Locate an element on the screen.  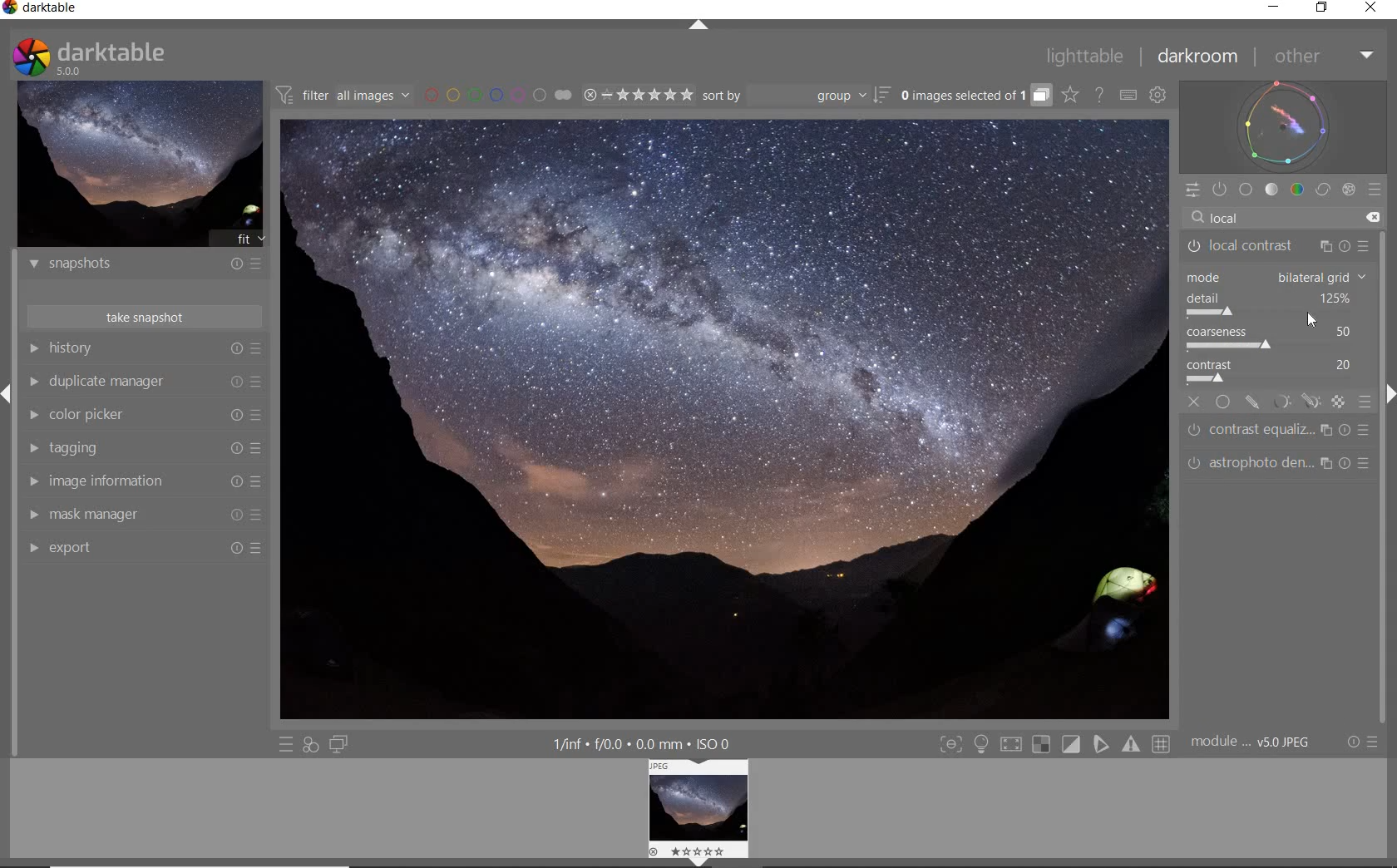
scroll bar is located at coordinates (1378, 475).